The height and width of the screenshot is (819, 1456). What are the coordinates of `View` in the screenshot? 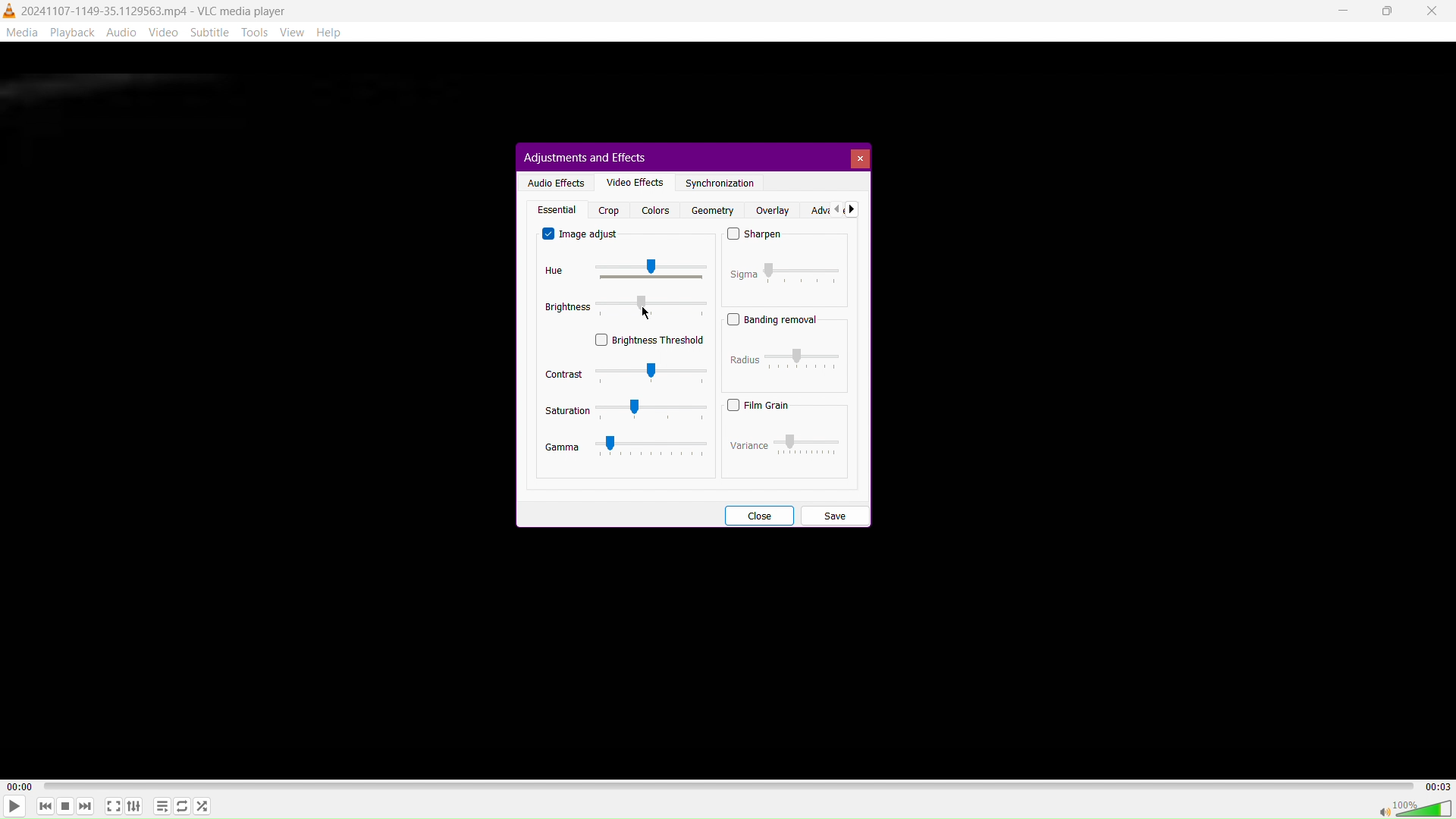 It's located at (297, 32).